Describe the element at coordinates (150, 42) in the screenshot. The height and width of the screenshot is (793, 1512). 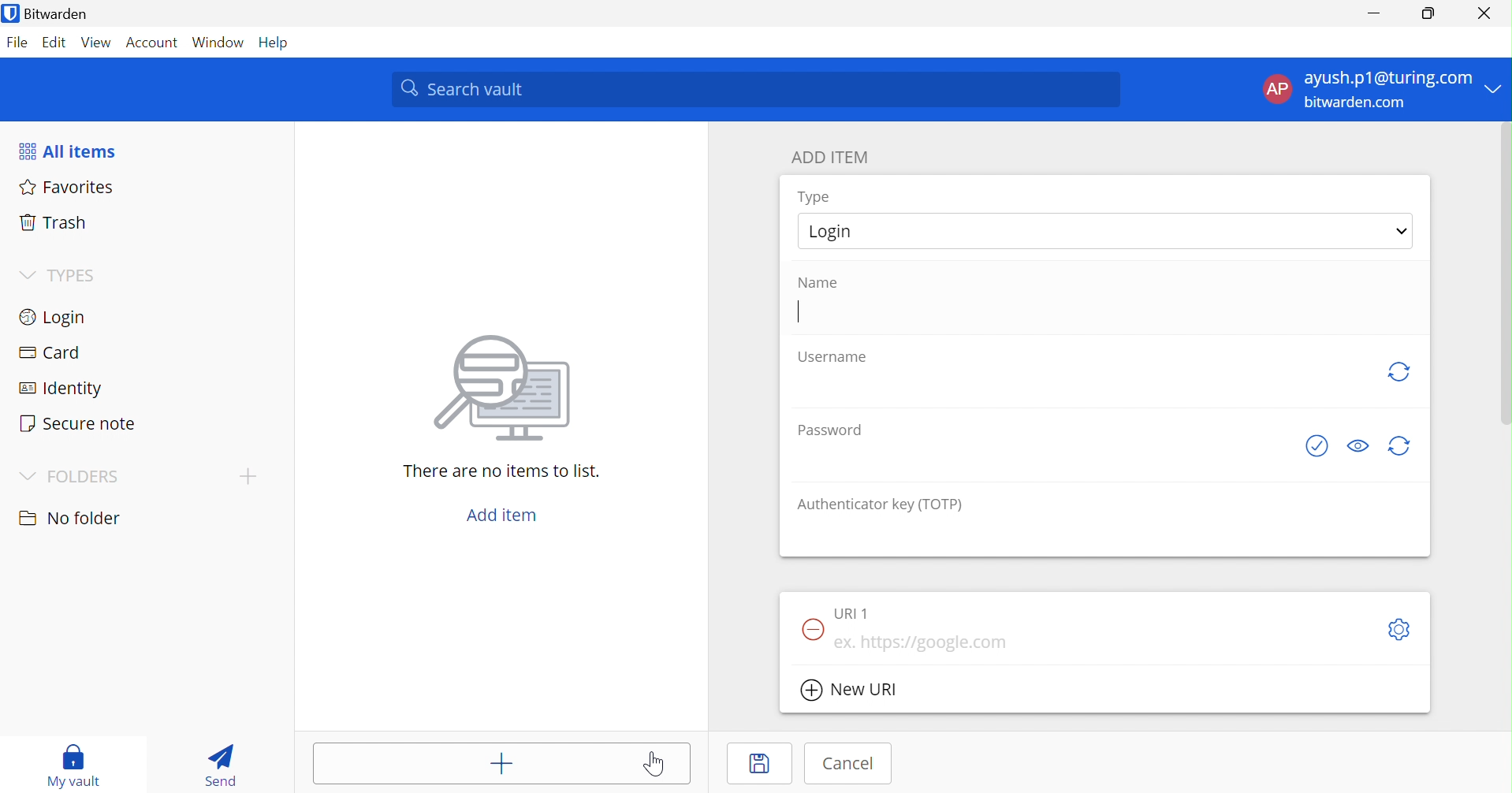
I see `Account` at that location.